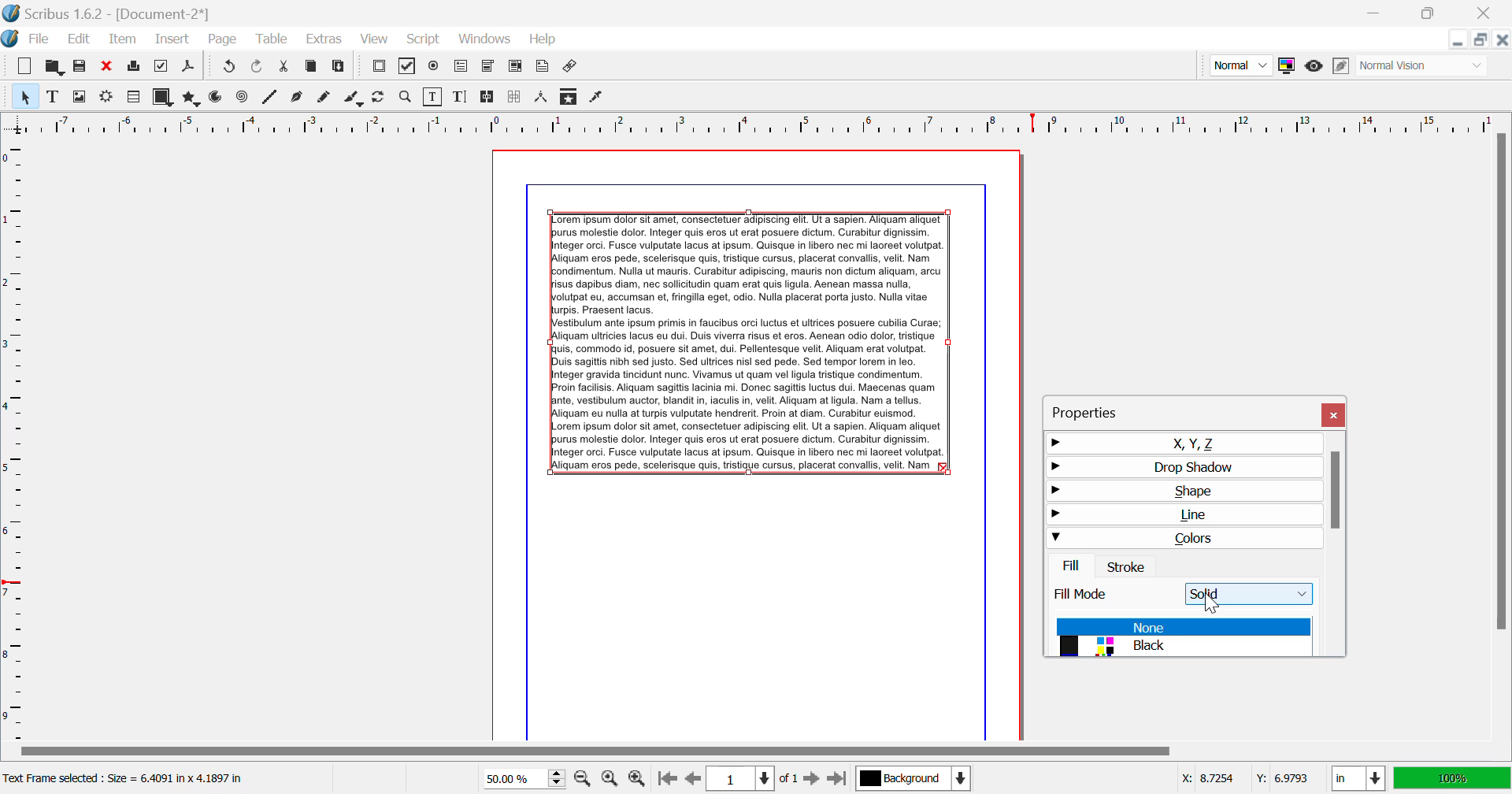  What do you see at coordinates (485, 39) in the screenshot?
I see `Windows` at bounding box center [485, 39].